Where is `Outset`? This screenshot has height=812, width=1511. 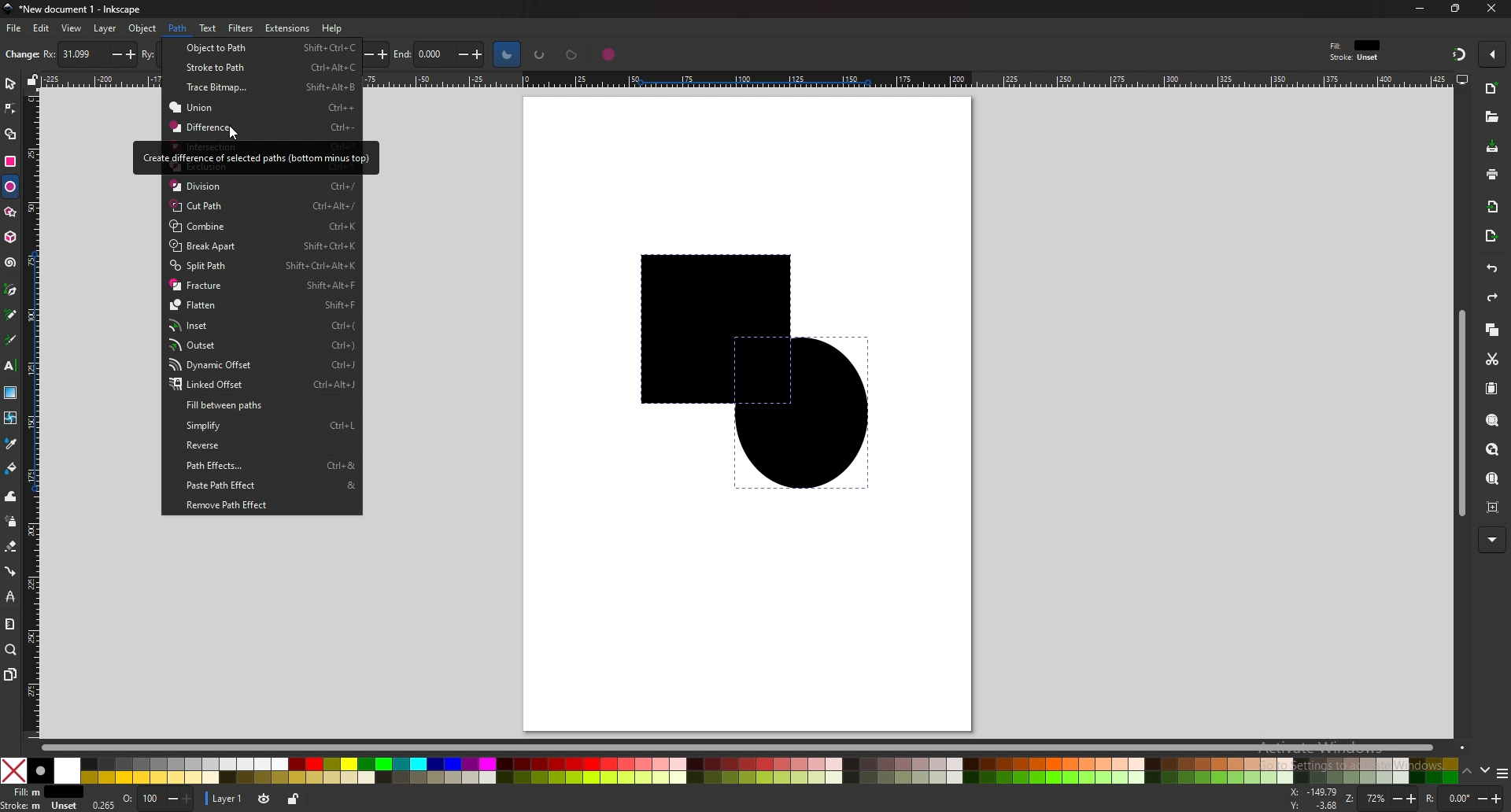 Outset is located at coordinates (261, 345).